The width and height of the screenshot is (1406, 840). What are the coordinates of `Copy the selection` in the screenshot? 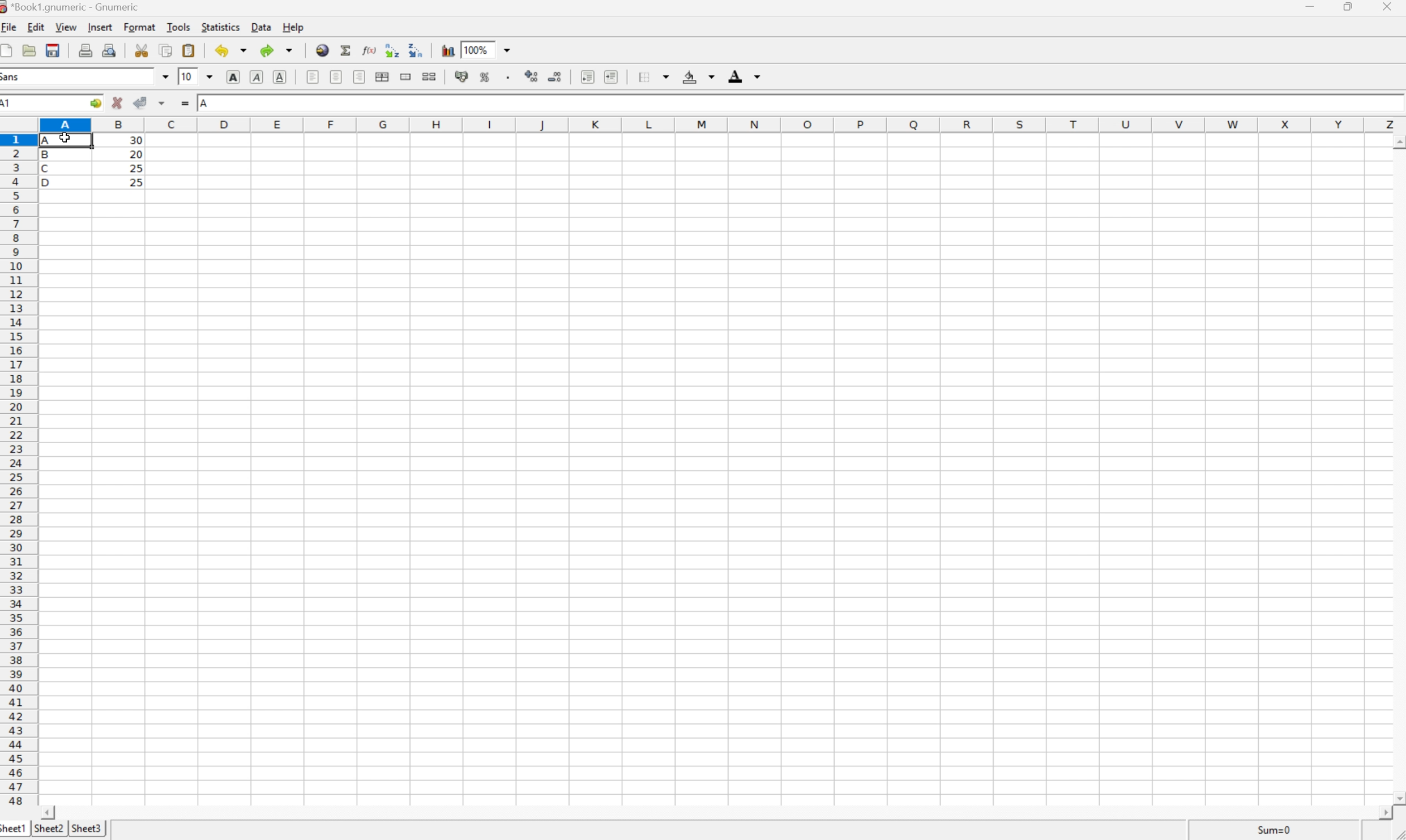 It's located at (166, 52).